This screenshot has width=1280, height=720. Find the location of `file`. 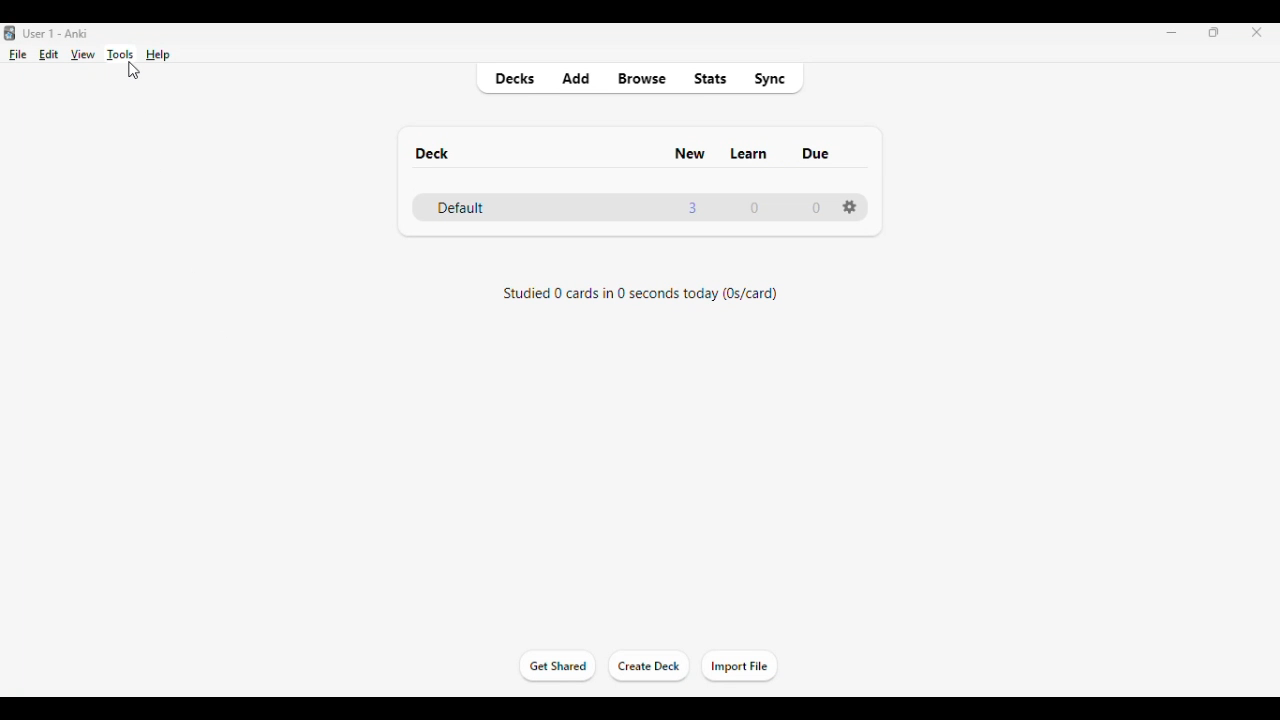

file is located at coordinates (18, 55).